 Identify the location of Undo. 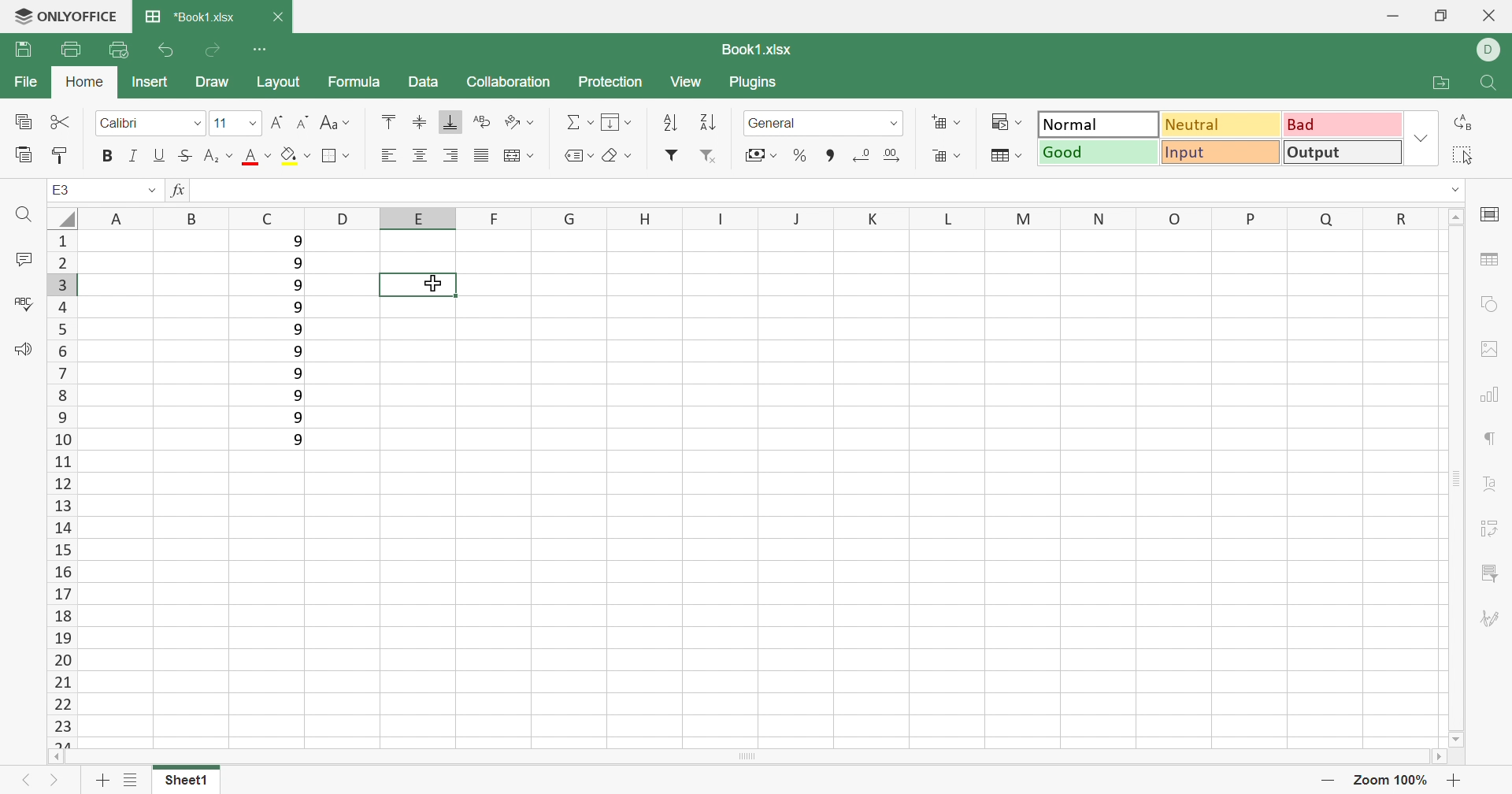
(169, 51).